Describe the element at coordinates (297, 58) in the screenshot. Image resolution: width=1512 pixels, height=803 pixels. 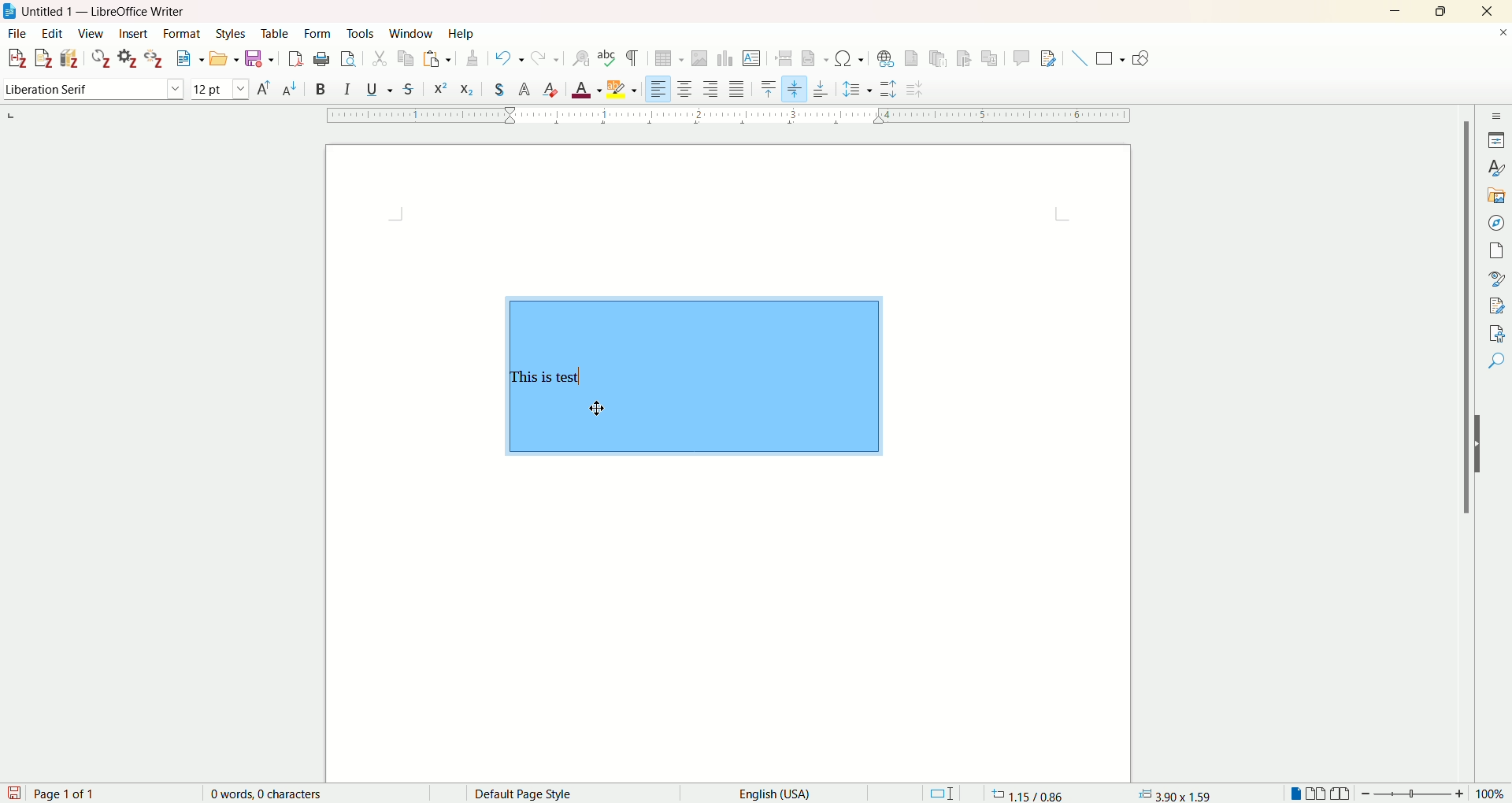
I see `export as pdf` at that location.